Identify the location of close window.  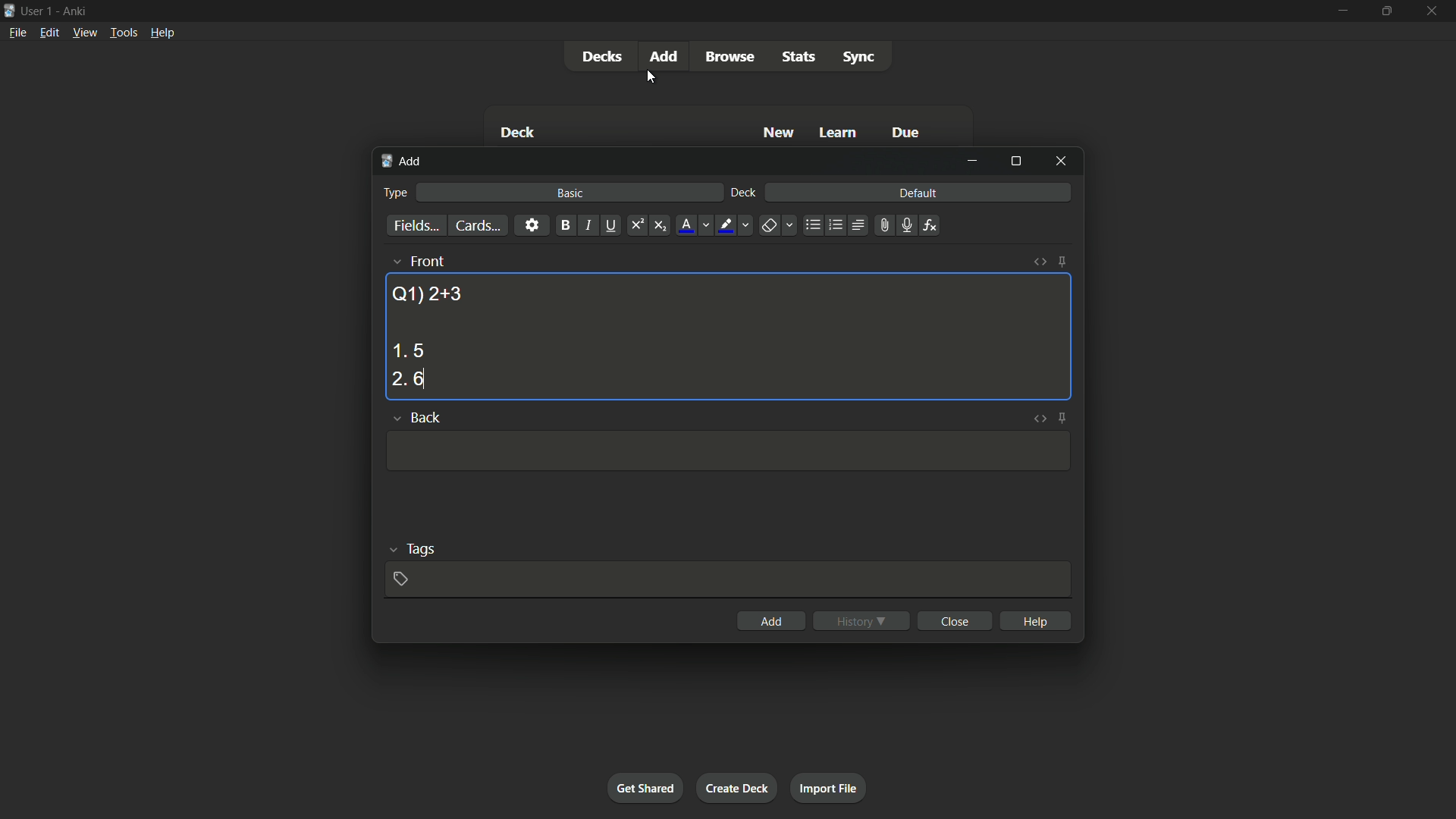
(1062, 160).